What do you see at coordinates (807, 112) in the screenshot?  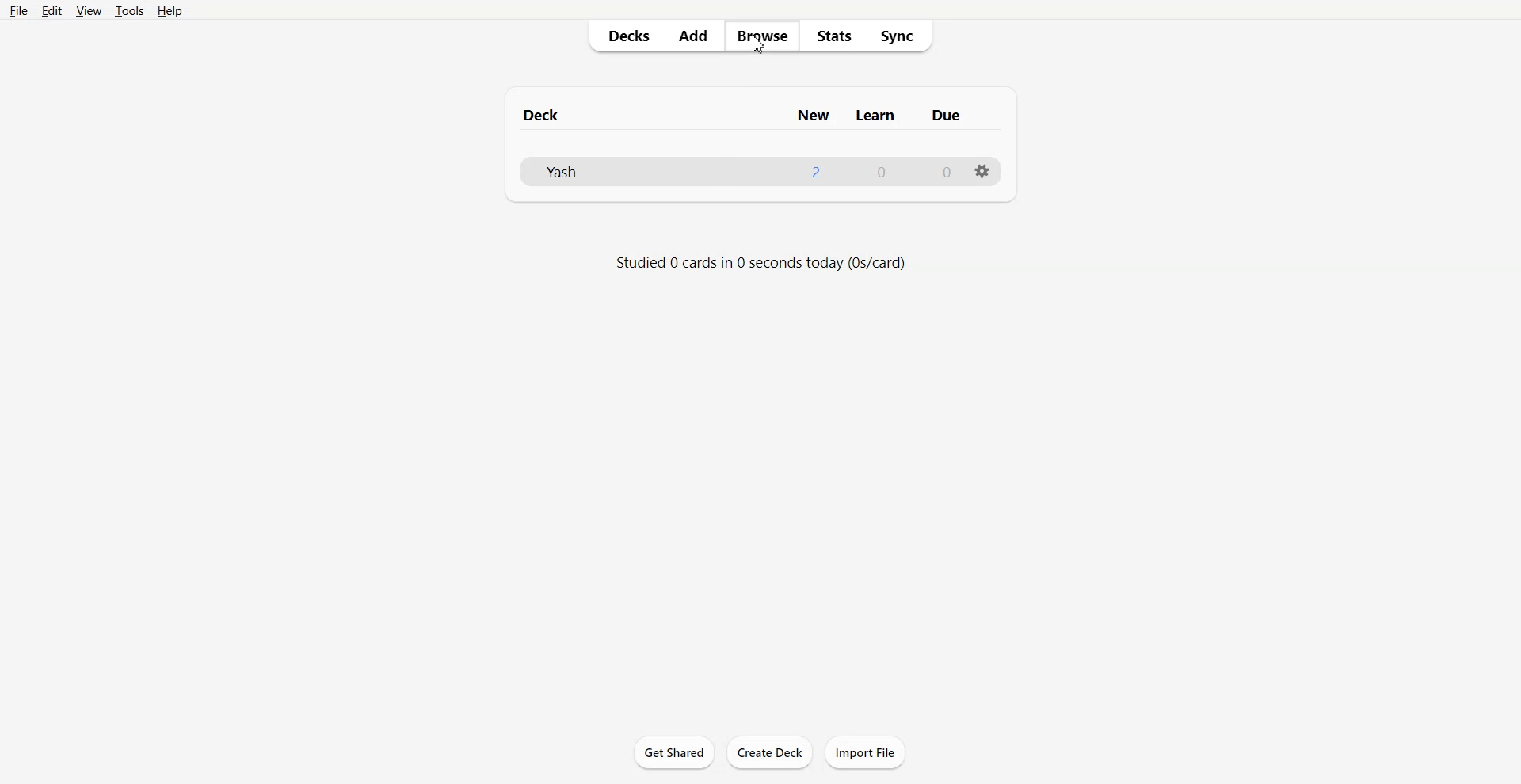 I see `New` at bounding box center [807, 112].